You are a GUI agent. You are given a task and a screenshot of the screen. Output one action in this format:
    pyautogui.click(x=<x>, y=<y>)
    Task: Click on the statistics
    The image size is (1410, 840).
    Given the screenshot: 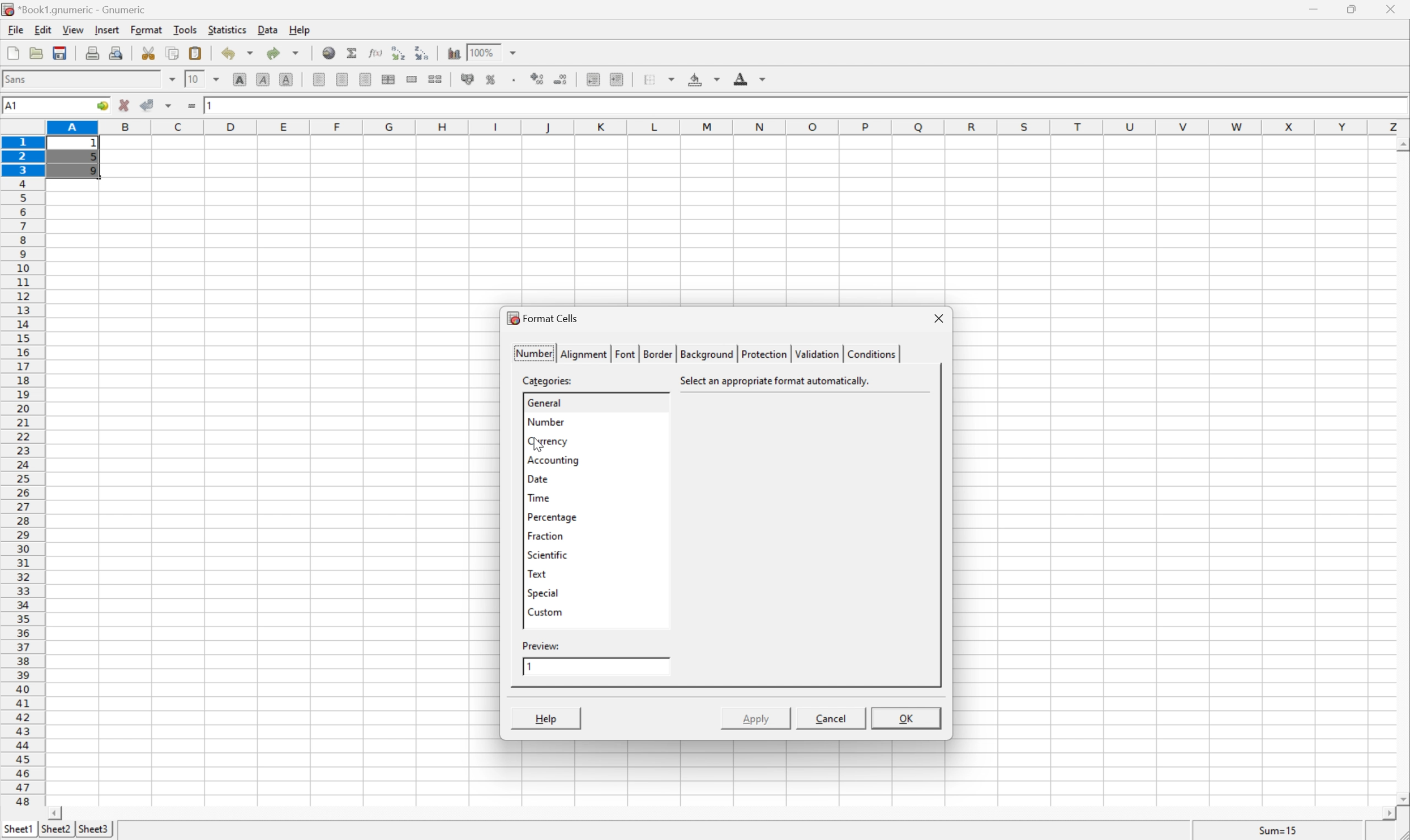 What is the action you would take?
    pyautogui.click(x=226, y=29)
    